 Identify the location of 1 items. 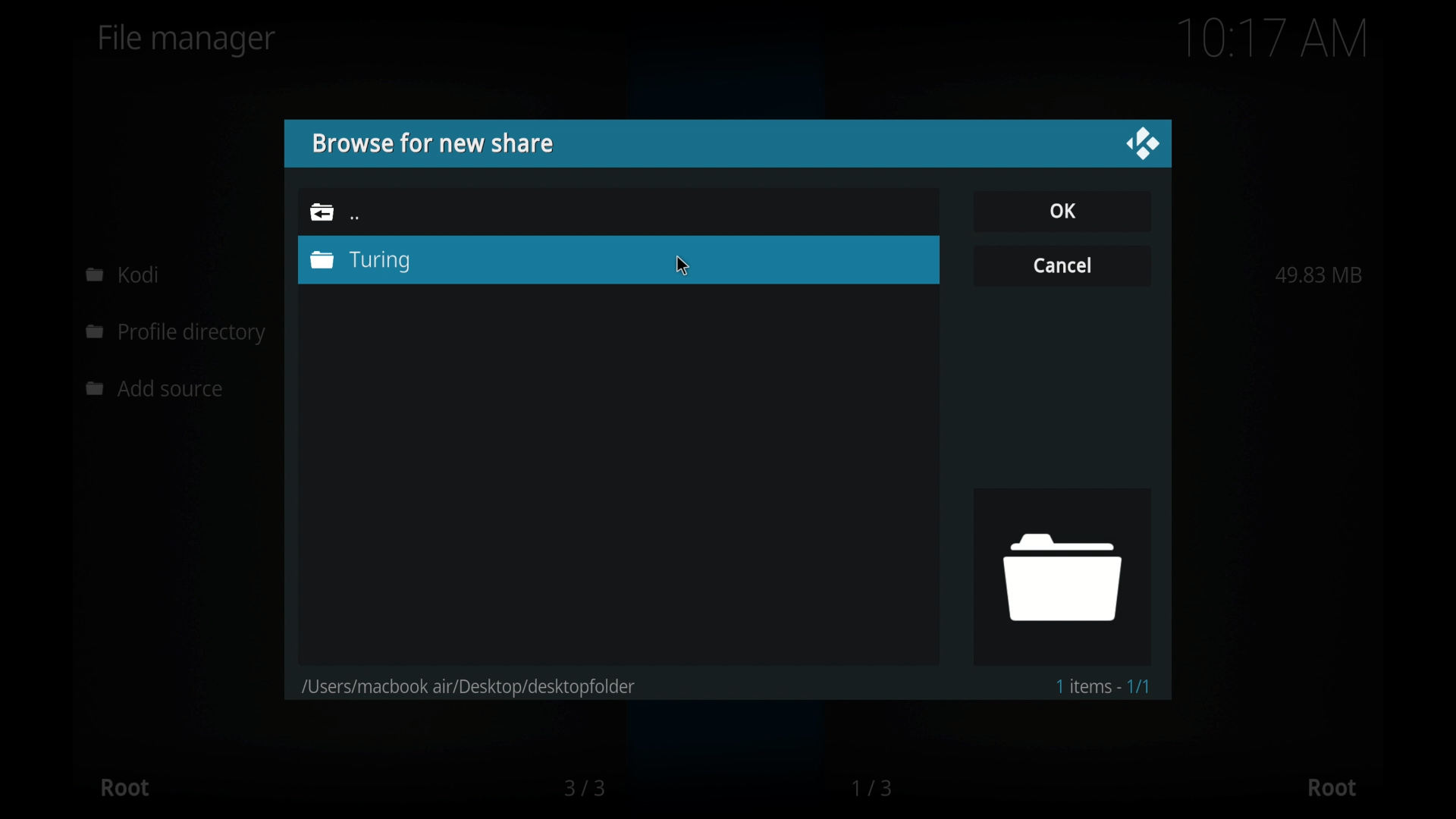
(1103, 686).